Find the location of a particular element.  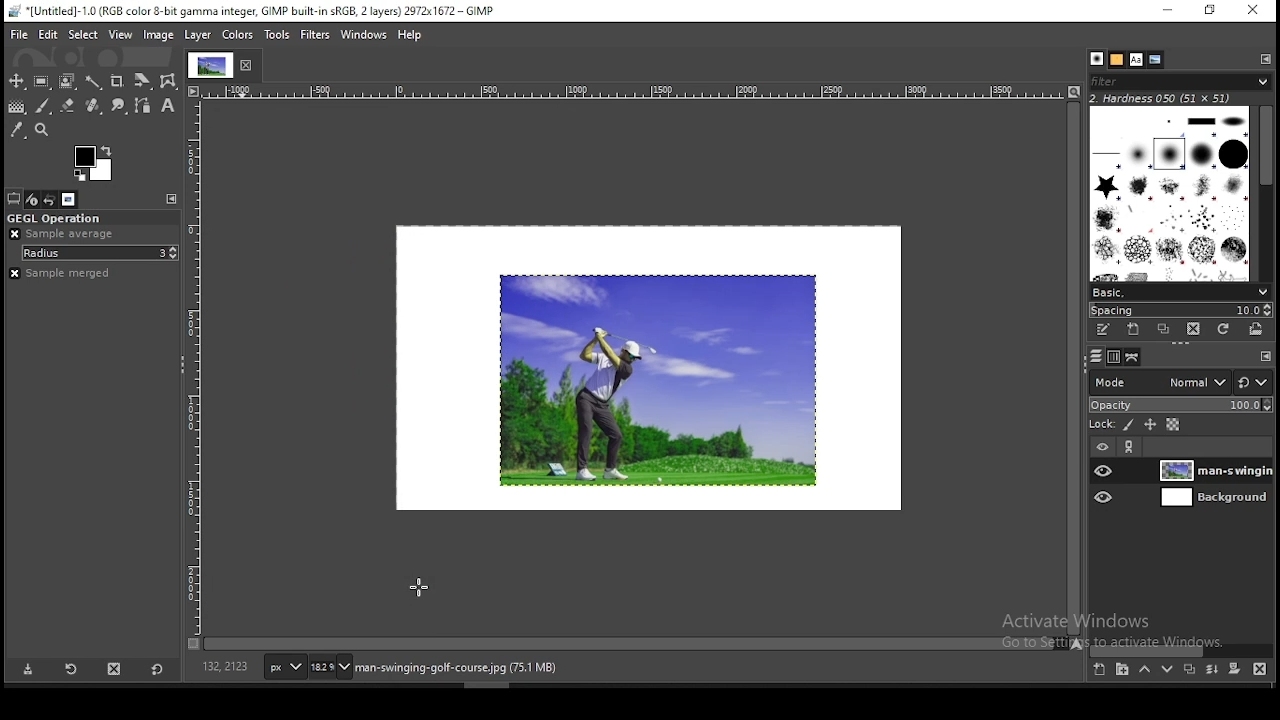

create a new brush is located at coordinates (1135, 331).